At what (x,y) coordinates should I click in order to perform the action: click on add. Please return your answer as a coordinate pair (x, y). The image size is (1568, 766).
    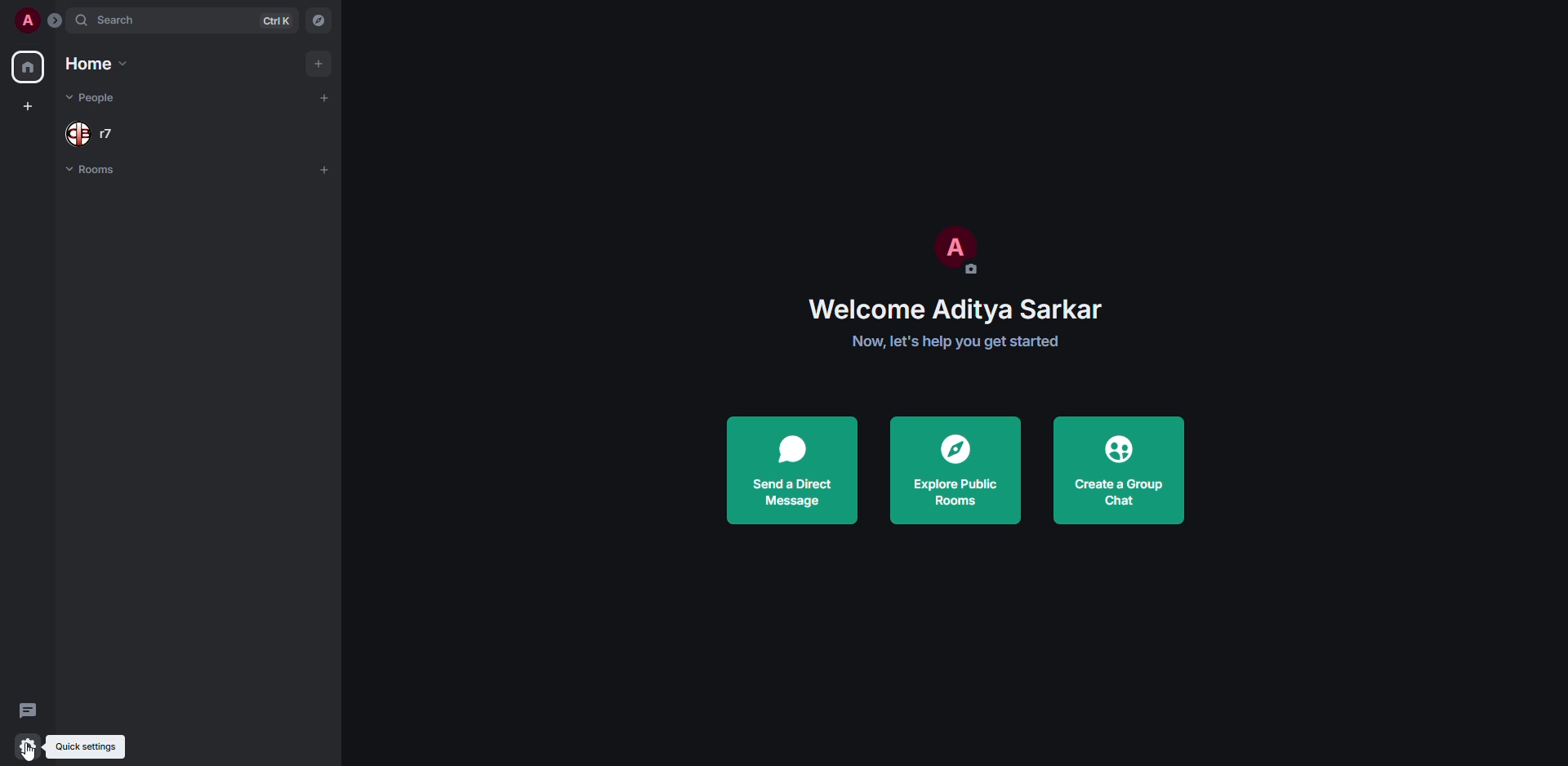
    Looking at the image, I should click on (327, 96).